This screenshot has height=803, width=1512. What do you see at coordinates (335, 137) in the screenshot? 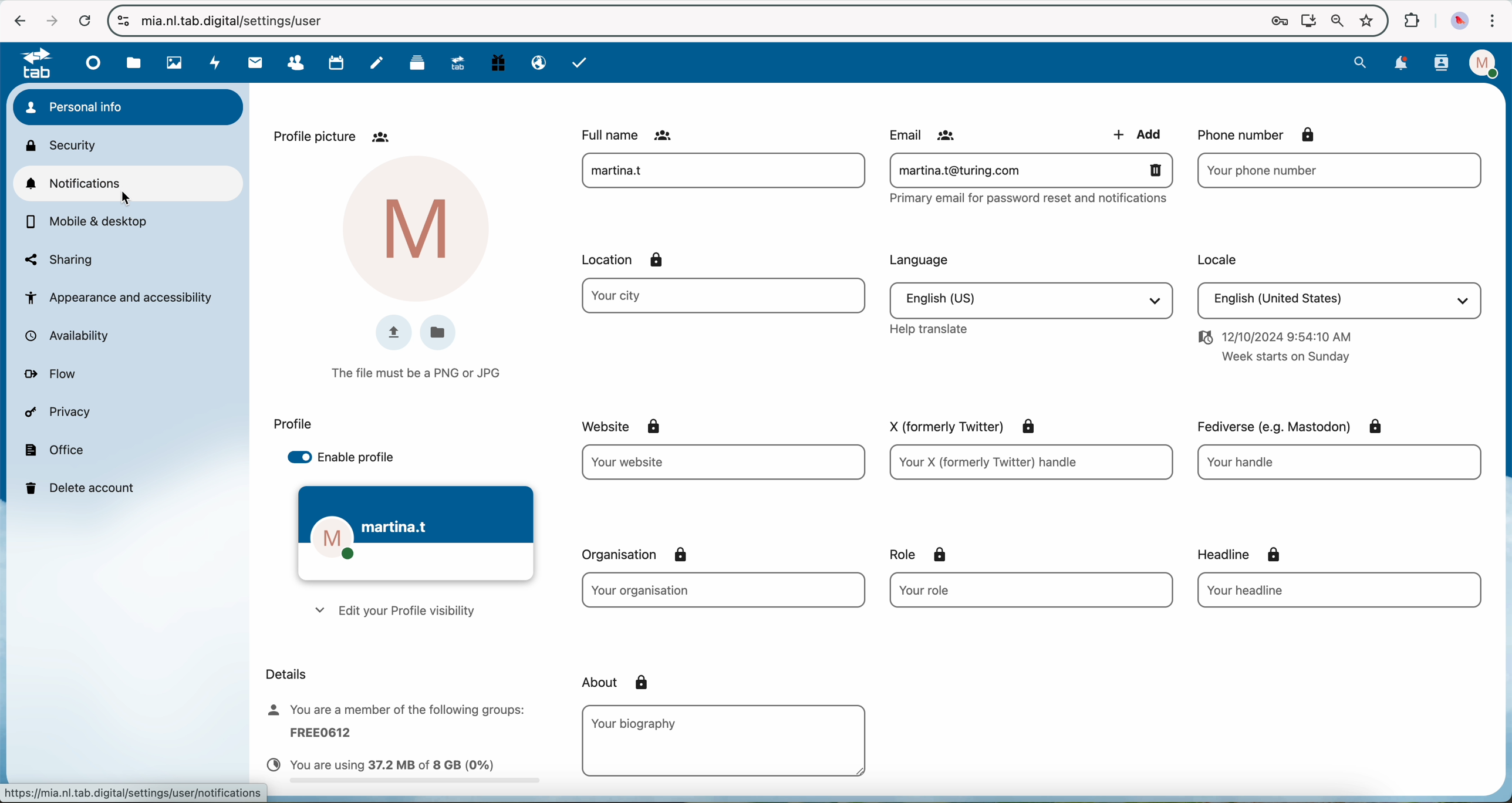
I see `profile picture` at bounding box center [335, 137].